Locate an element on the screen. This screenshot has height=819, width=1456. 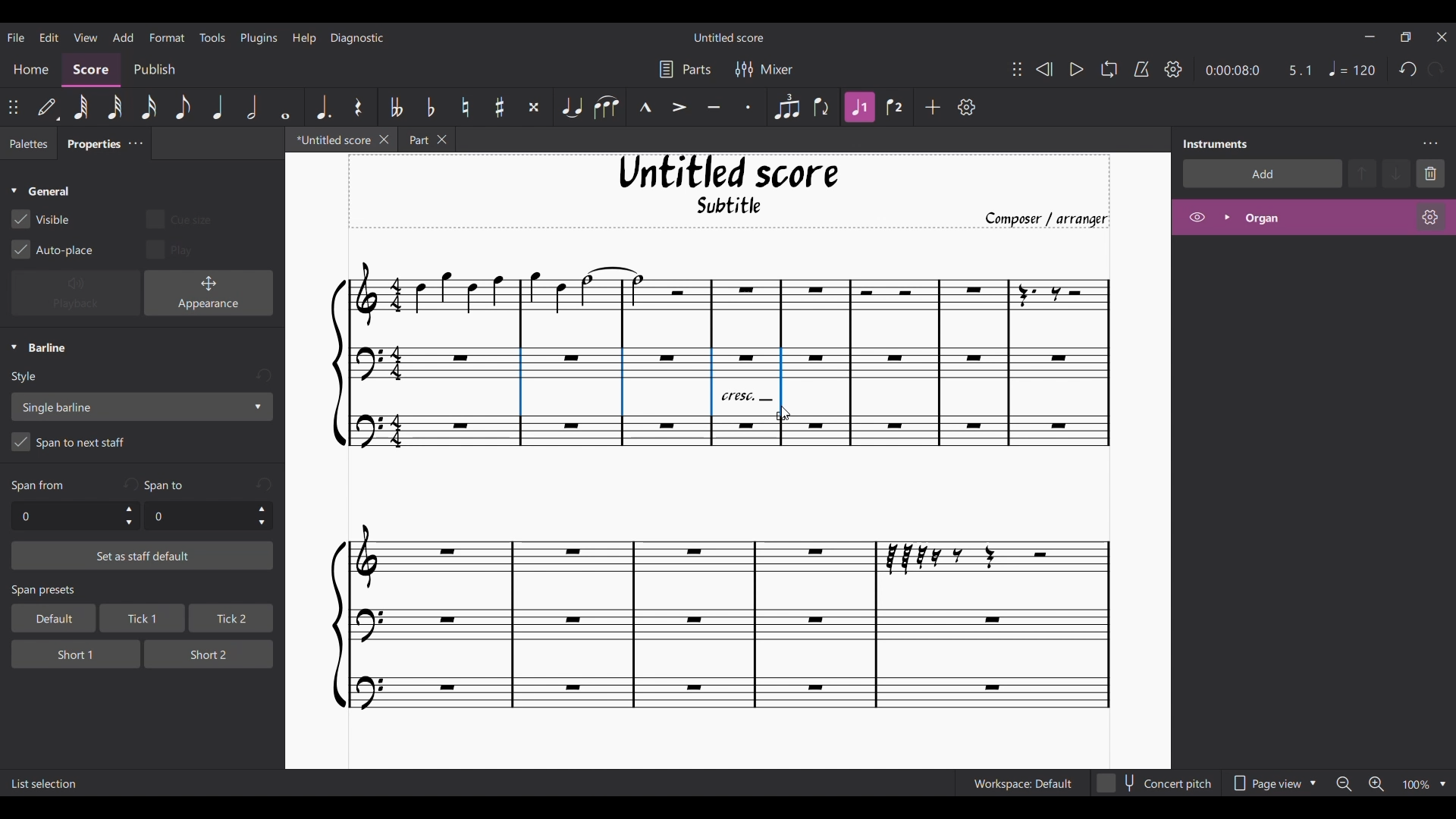
Type in Span from is located at coordinates (64, 516).